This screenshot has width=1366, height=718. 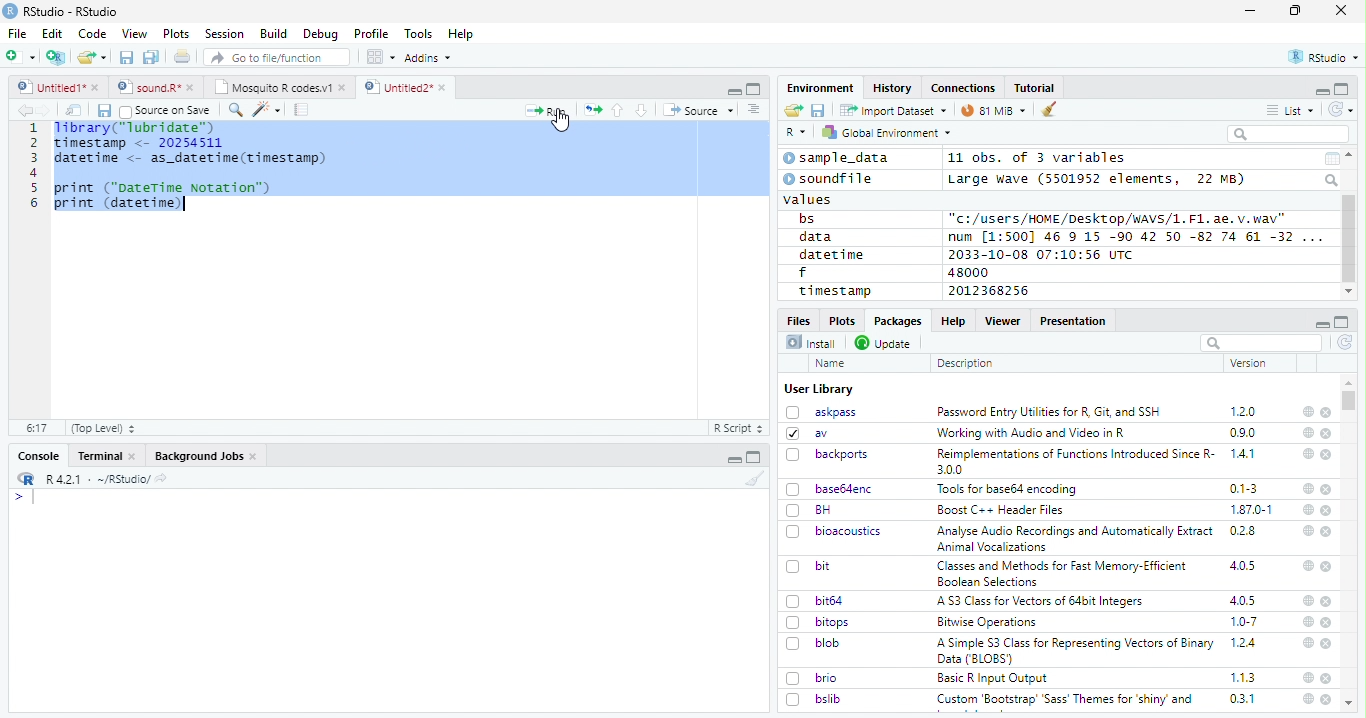 I want to click on Version, so click(x=1252, y=363).